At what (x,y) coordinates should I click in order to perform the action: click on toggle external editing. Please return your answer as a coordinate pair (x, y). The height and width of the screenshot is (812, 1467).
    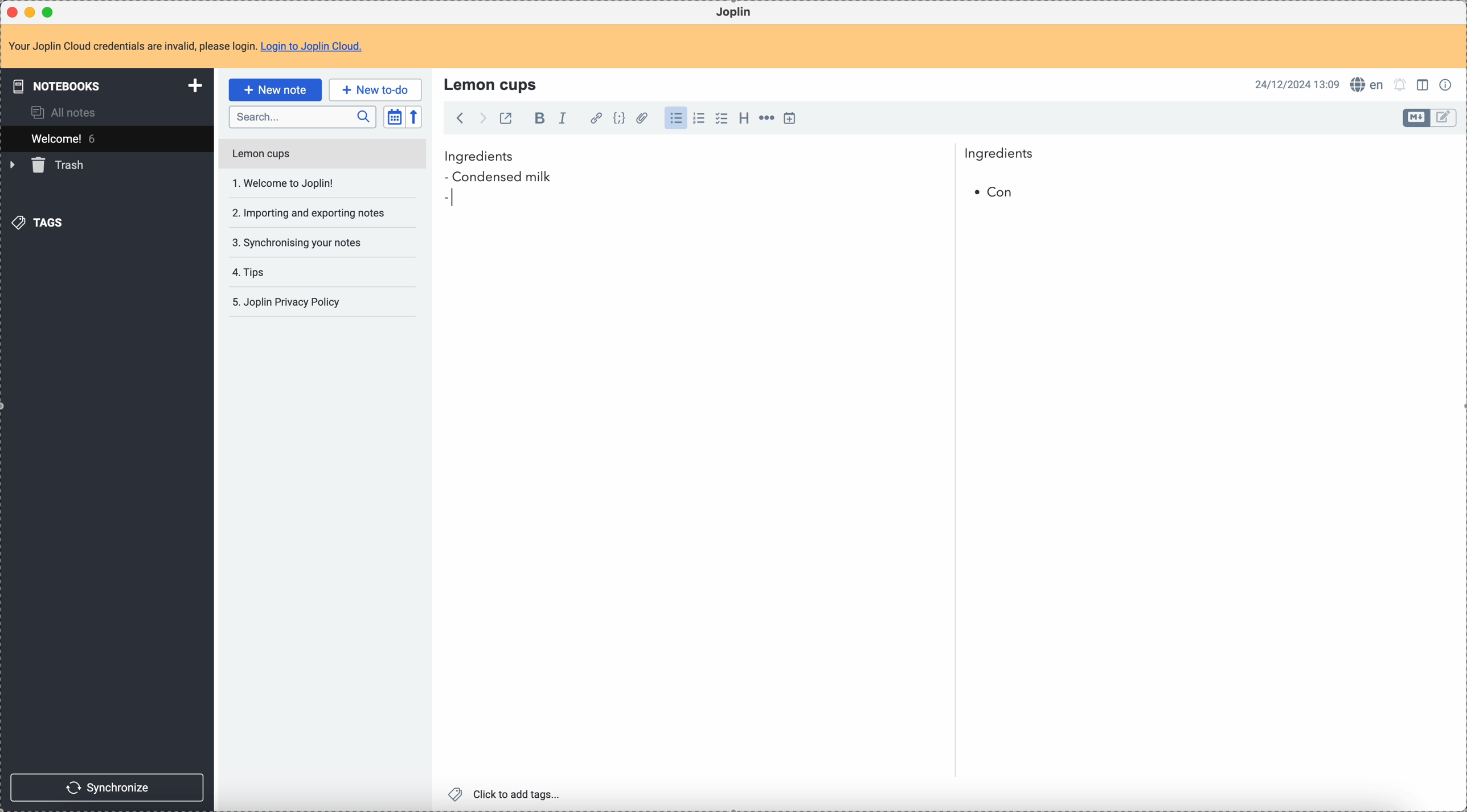
    Looking at the image, I should click on (505, 120).